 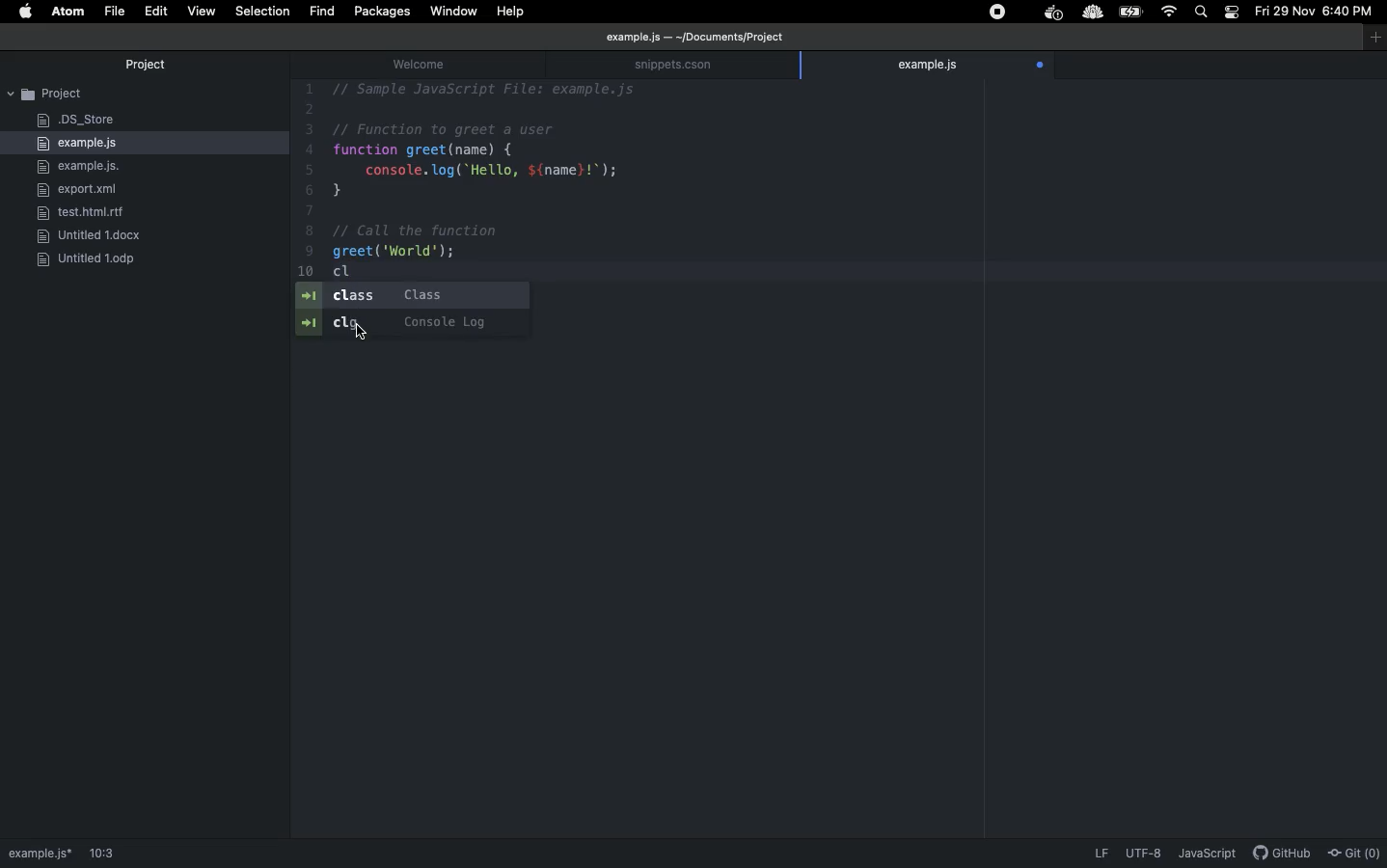 I want to click on extension, so click(x=1052, y=14).